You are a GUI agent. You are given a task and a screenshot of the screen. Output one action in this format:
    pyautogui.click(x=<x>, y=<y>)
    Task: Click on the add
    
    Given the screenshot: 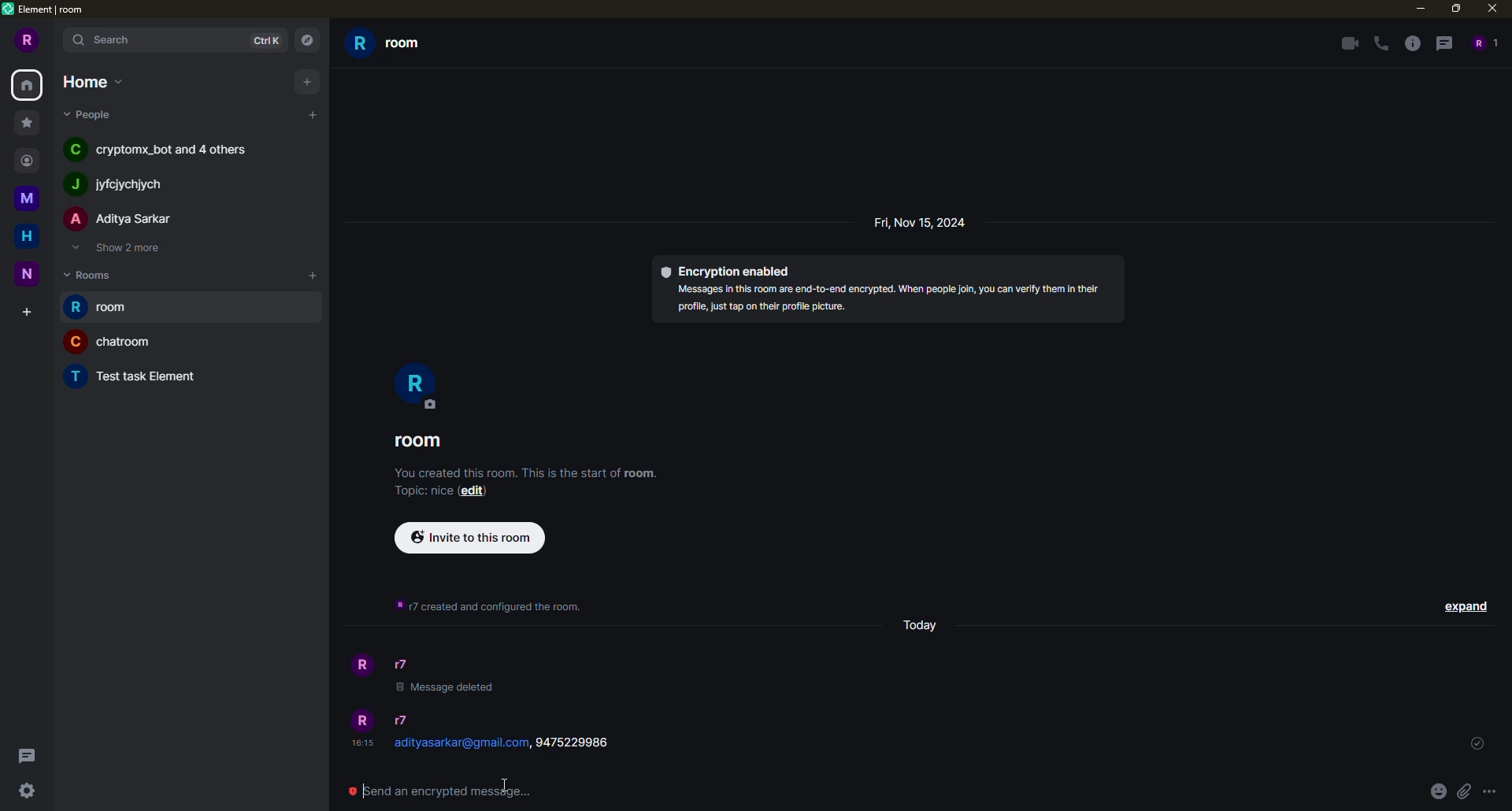 What is the action you would take?
    pyautogui.click(x=313, y=115)
    